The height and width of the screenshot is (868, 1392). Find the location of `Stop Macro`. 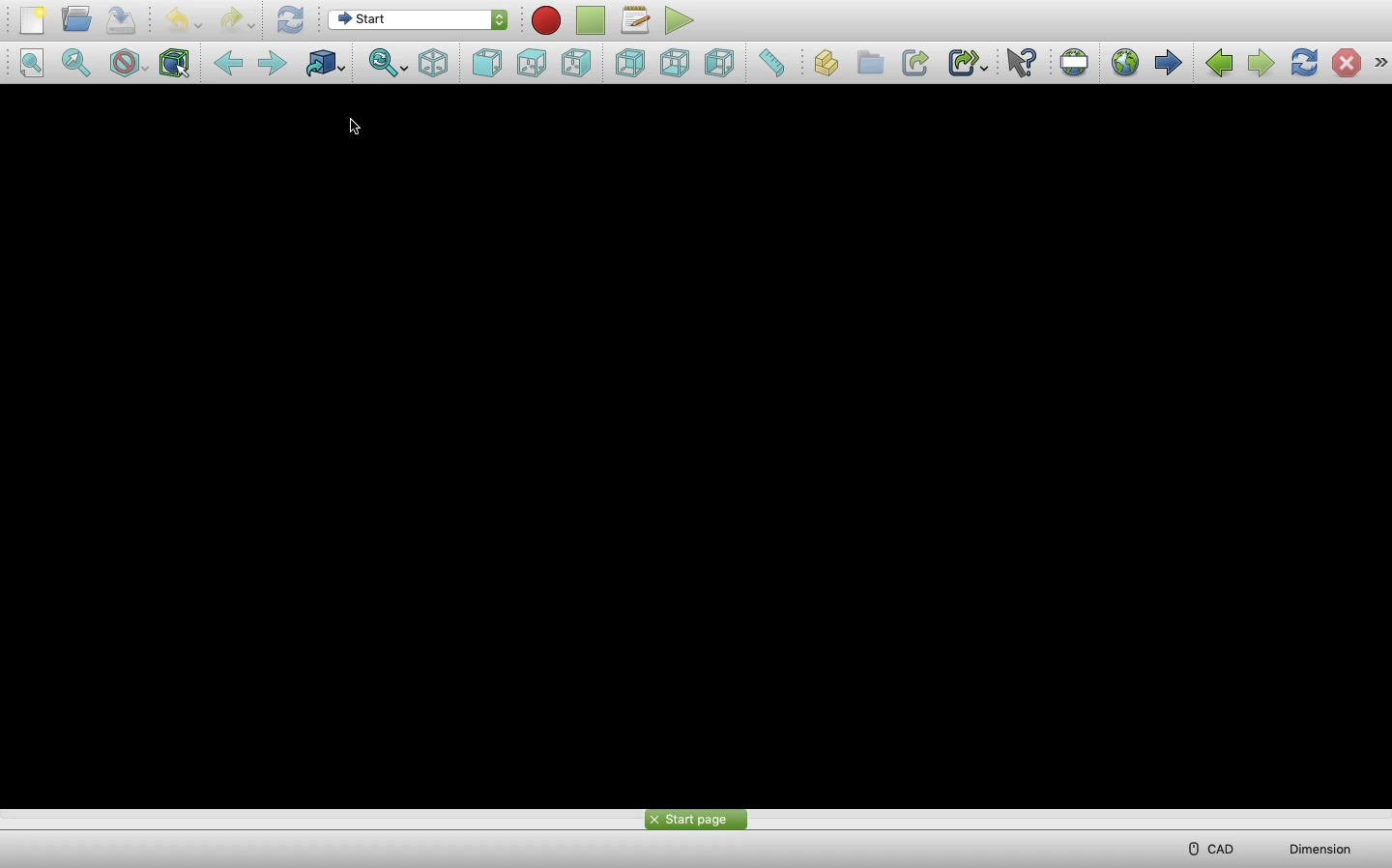

Stop Macro is located at coordinates (591, 20).